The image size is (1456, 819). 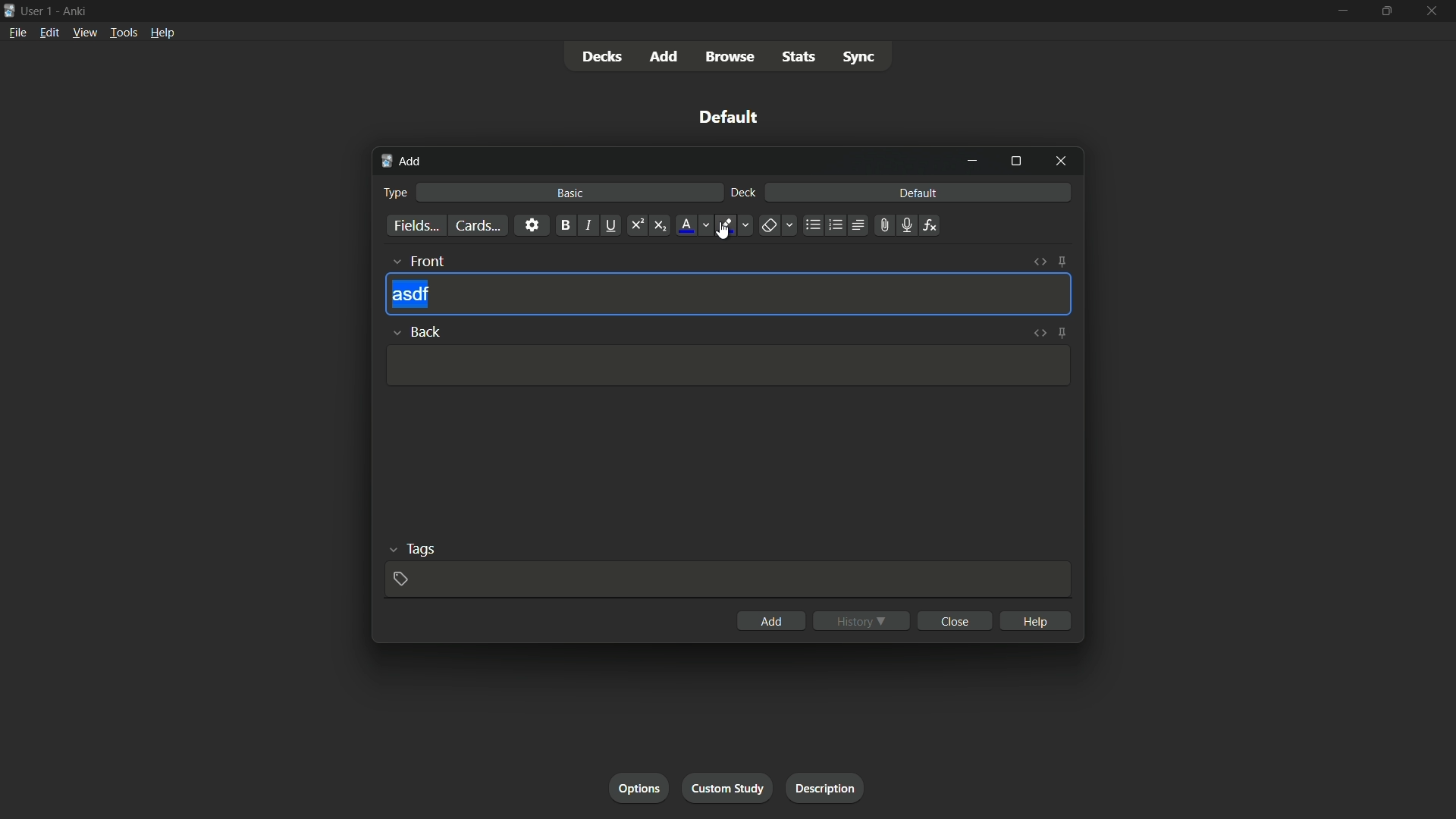 I want to click on add, so click(x=406, y=162).